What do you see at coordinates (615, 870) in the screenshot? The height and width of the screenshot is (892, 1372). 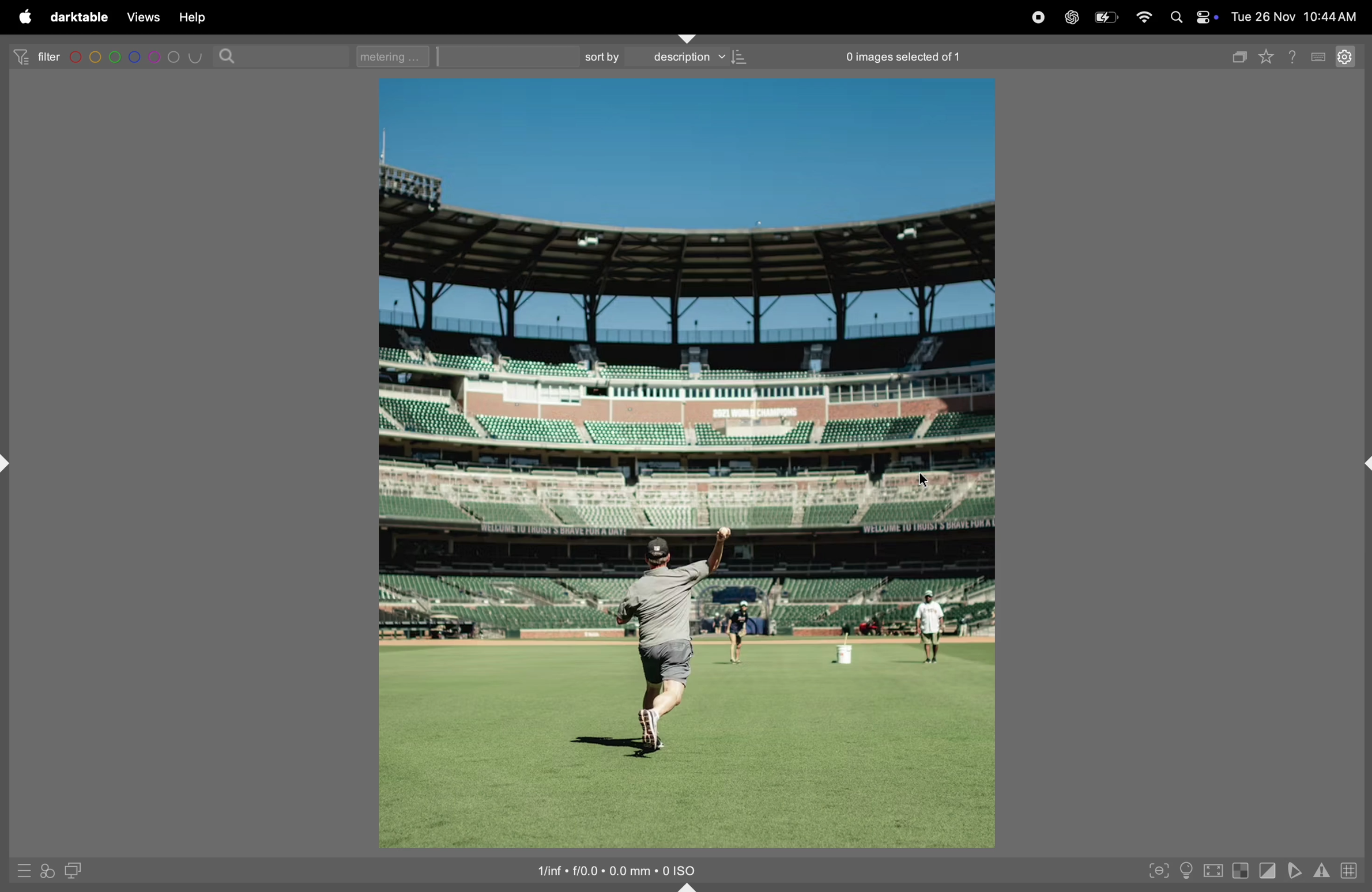 I see `image iso` at bounding box center [615, 870].